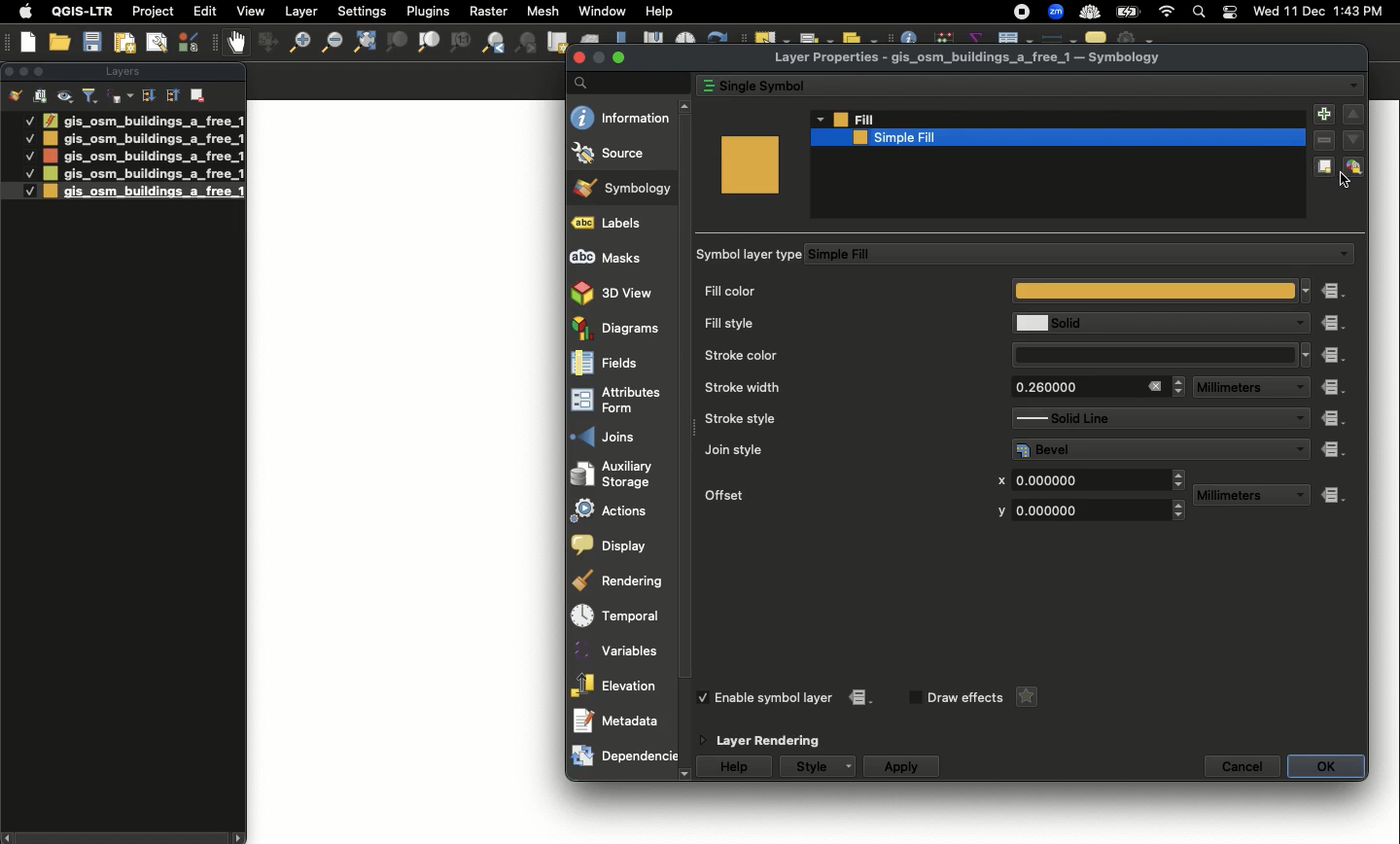 Image resolution: width=1400 pixels, height=844 pixels. I want to click on Symbol layer type, so click(752, 255).